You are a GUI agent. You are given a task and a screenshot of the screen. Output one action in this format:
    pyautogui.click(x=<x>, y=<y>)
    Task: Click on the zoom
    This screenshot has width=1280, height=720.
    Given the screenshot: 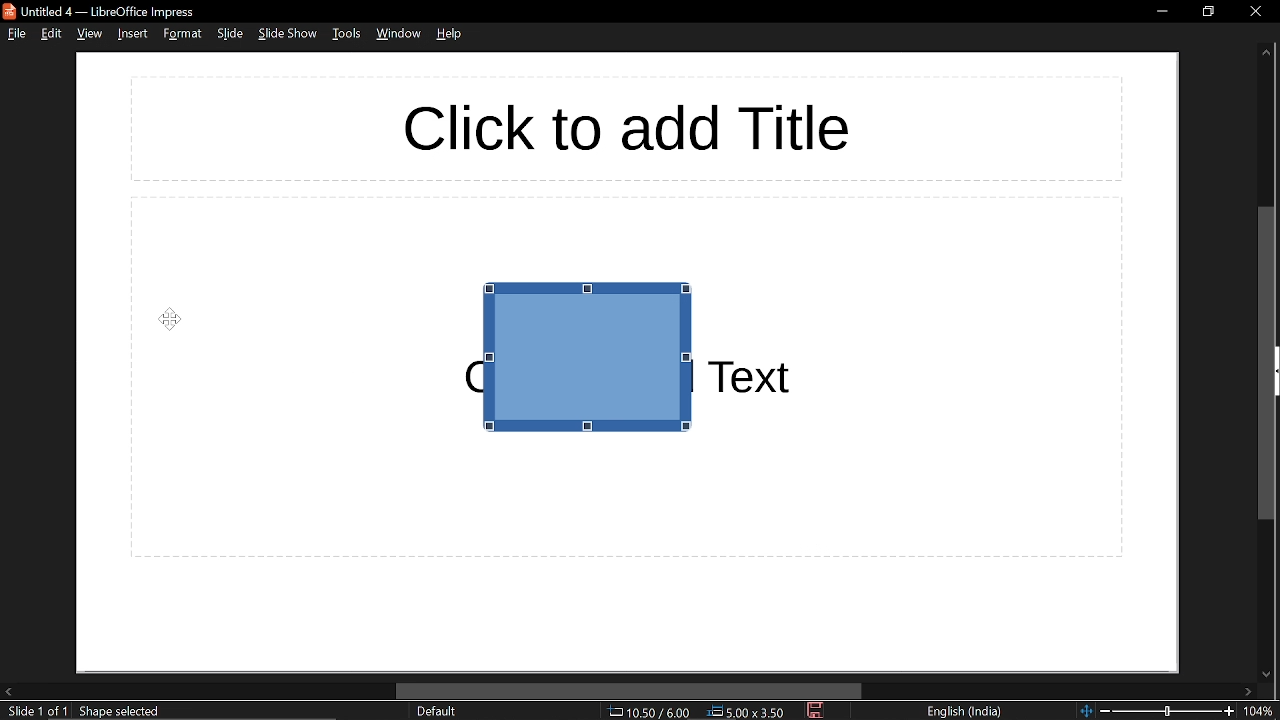 What is the action you would take?
    pyautogui.click(x=1262, y=712)
    